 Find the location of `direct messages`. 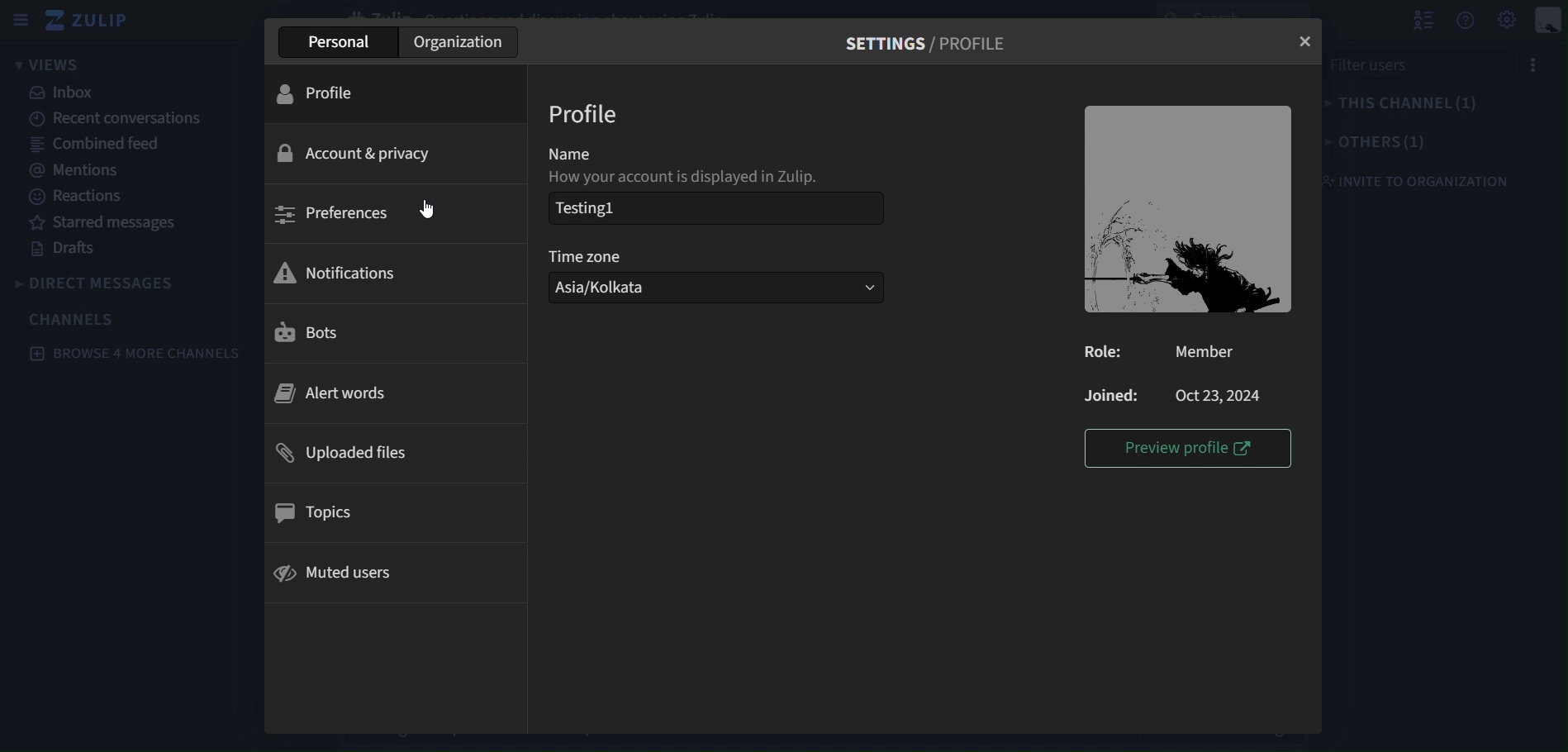

direct messages is located at coordinates (98, 286).